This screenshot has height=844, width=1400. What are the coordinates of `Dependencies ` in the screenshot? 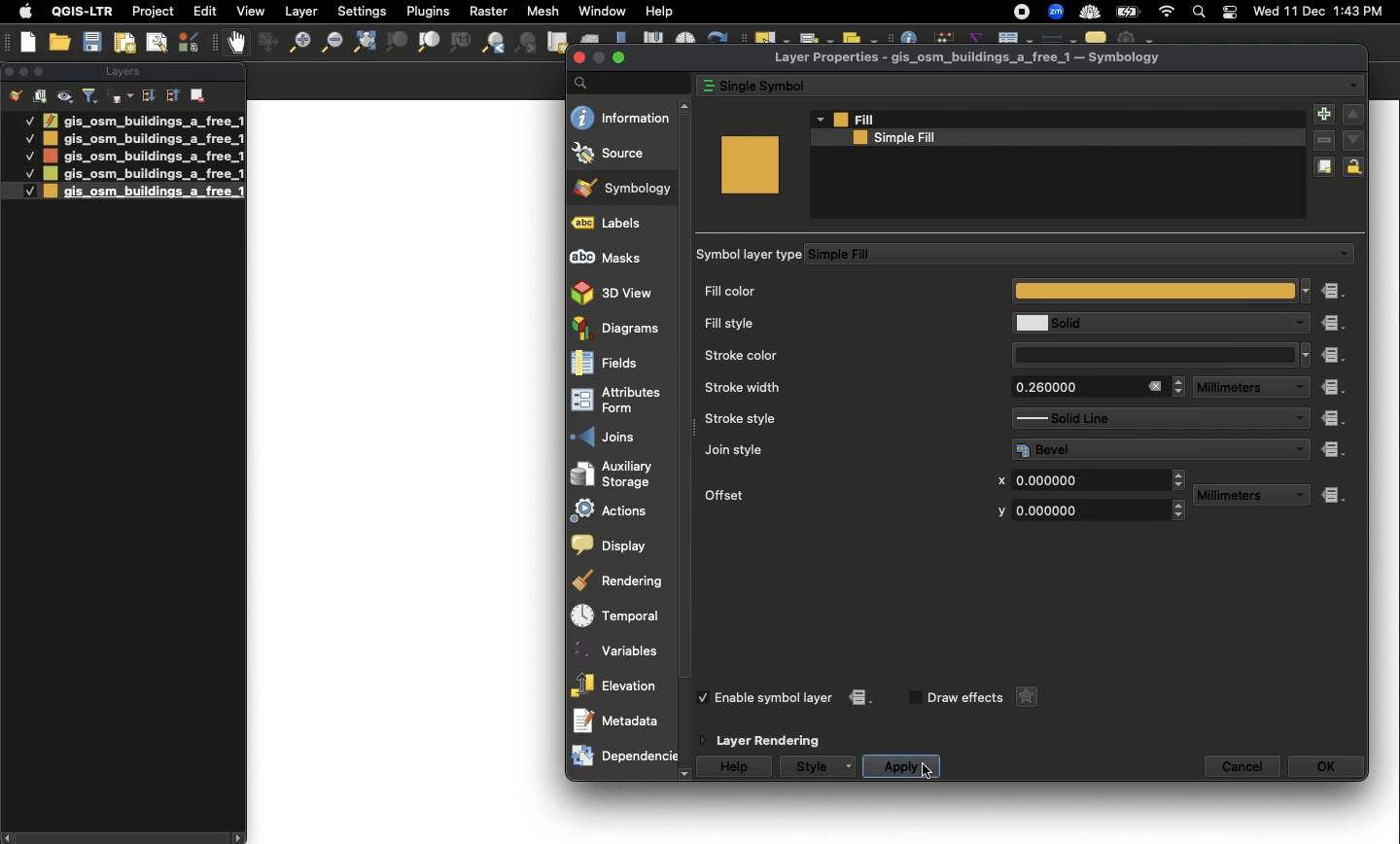 It's located at (623, 756).